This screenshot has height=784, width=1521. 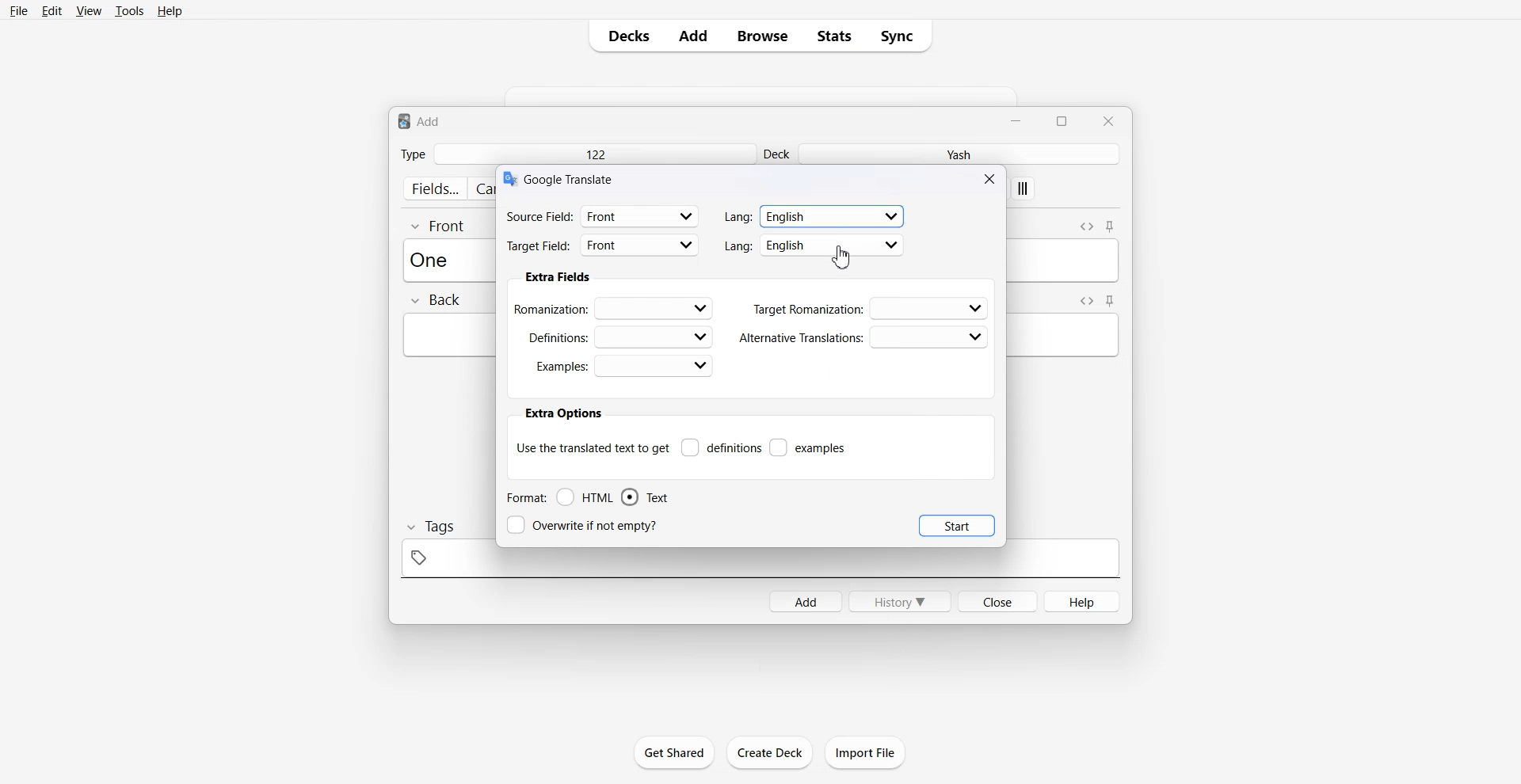 What do you see at coordinates (420, 120) in the screenshot?
I see `Text` at bounding box center [420, 120].